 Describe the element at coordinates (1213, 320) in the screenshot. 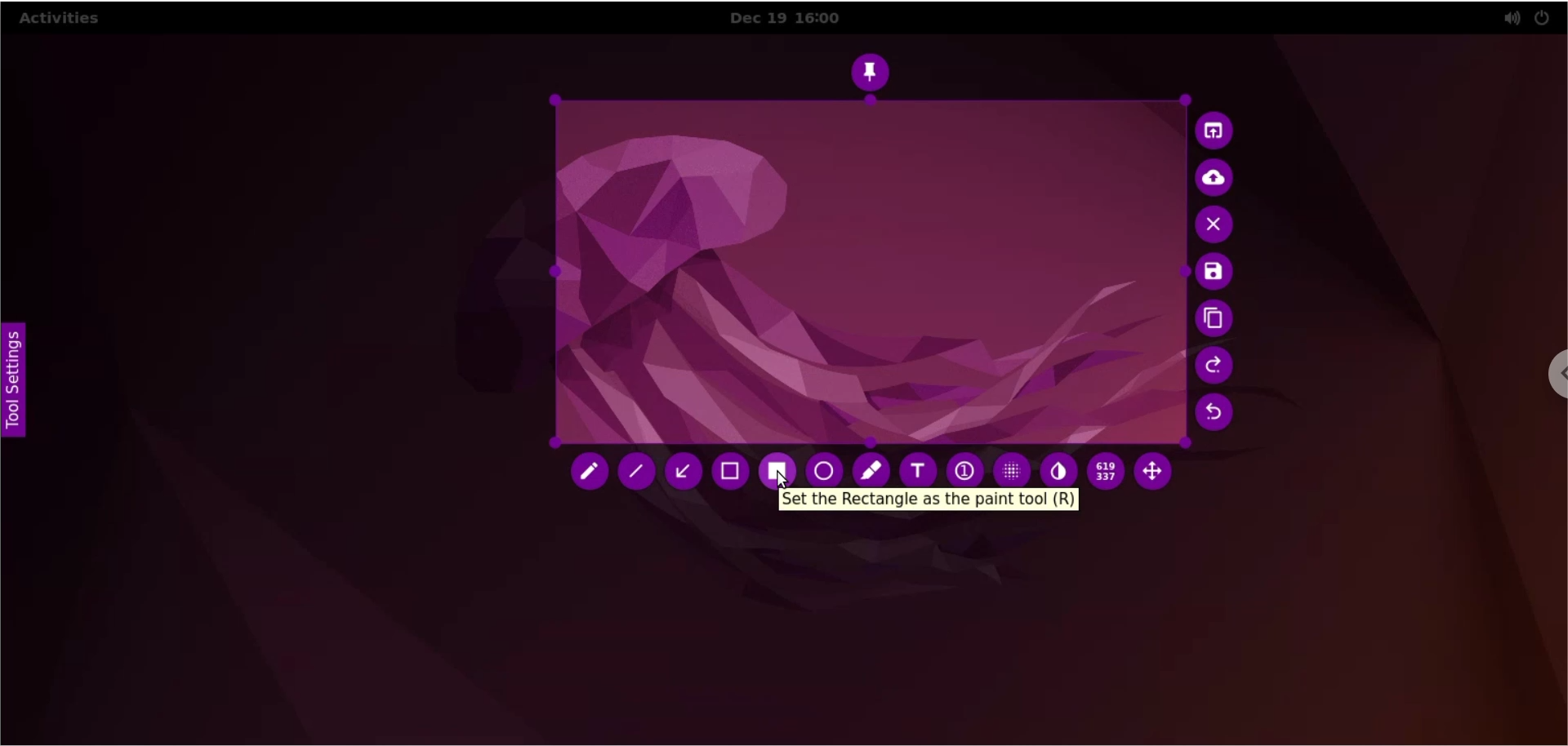

I see `copy to clipboards` at that location.